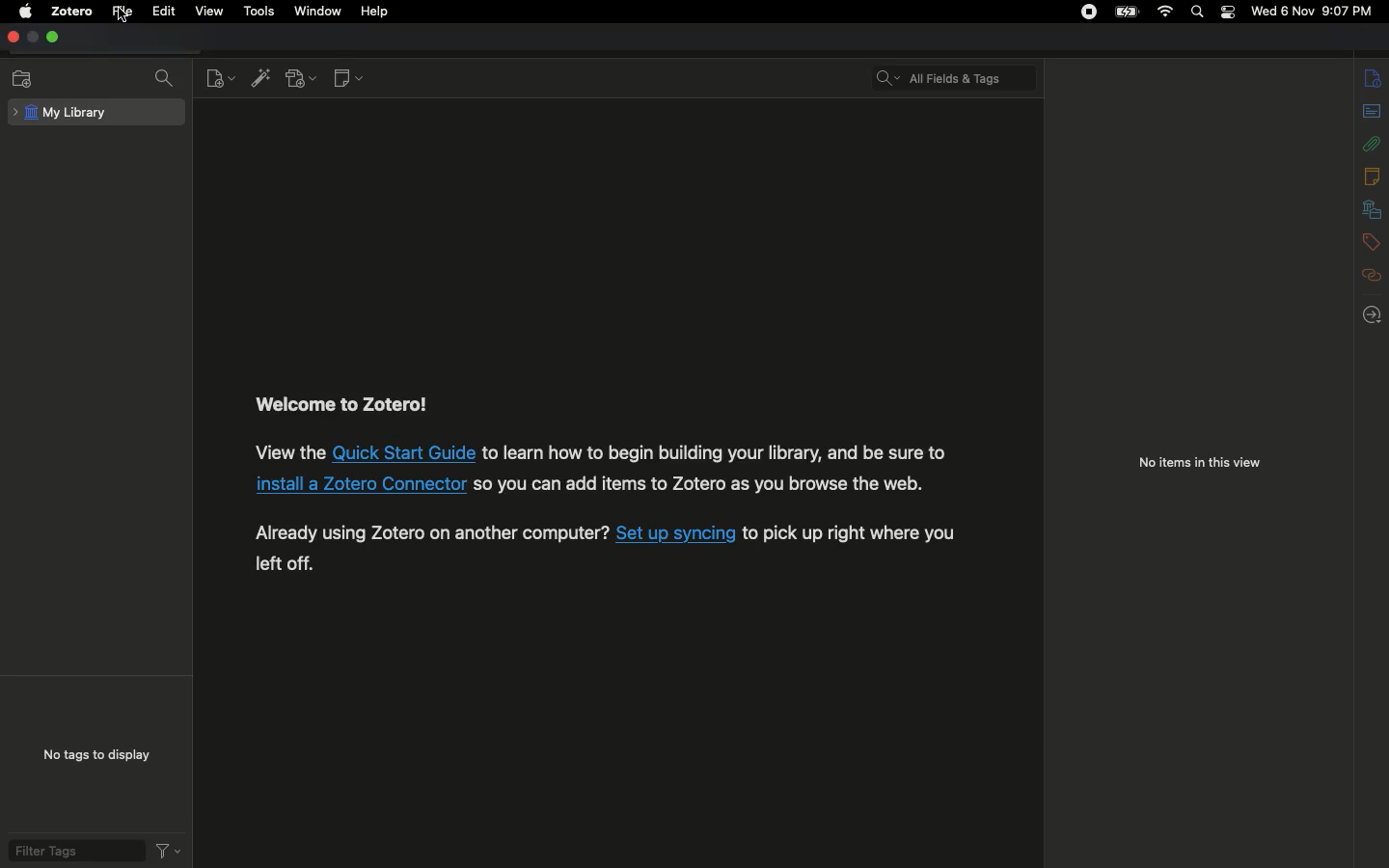  Describe the element at coordinates (1373, 176) in the screenshot. I see `Notes` at that location.